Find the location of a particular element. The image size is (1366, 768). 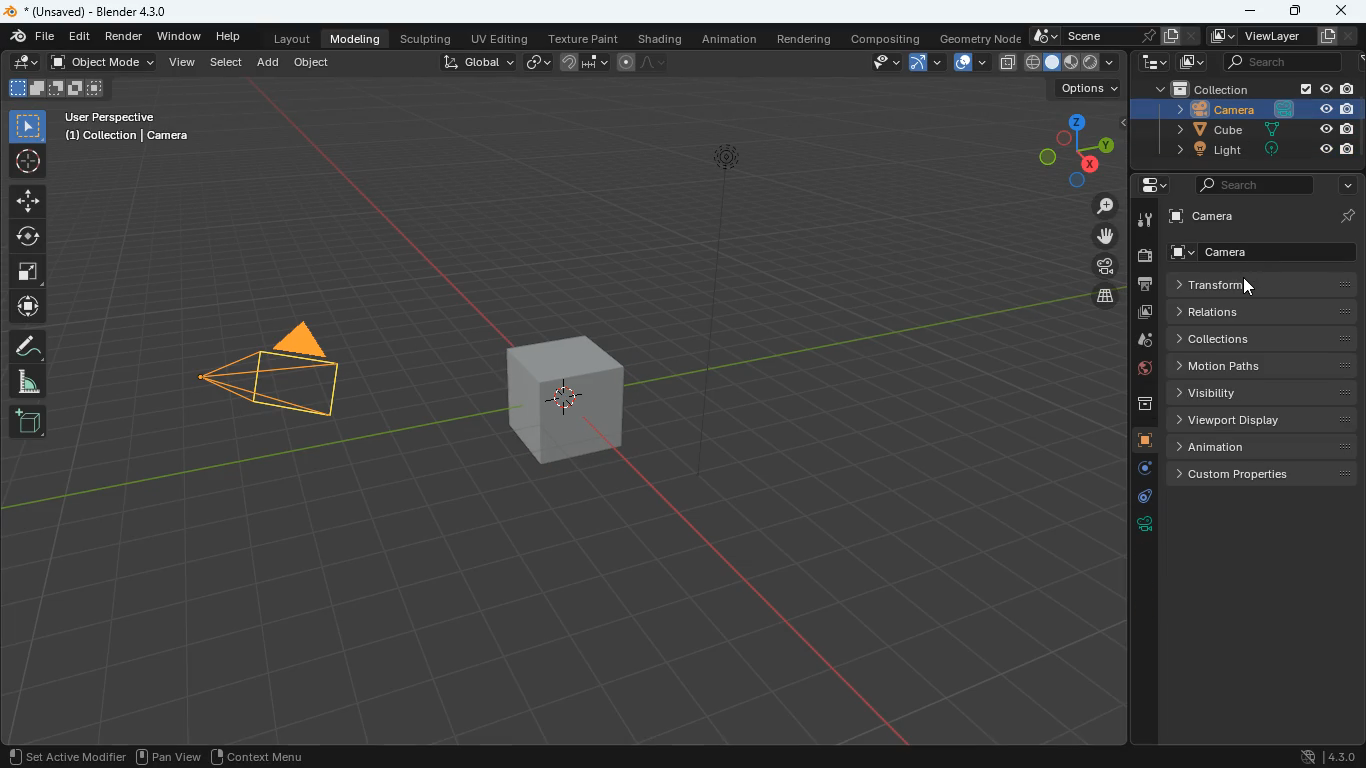

shading is located at coordinates (662, 38).